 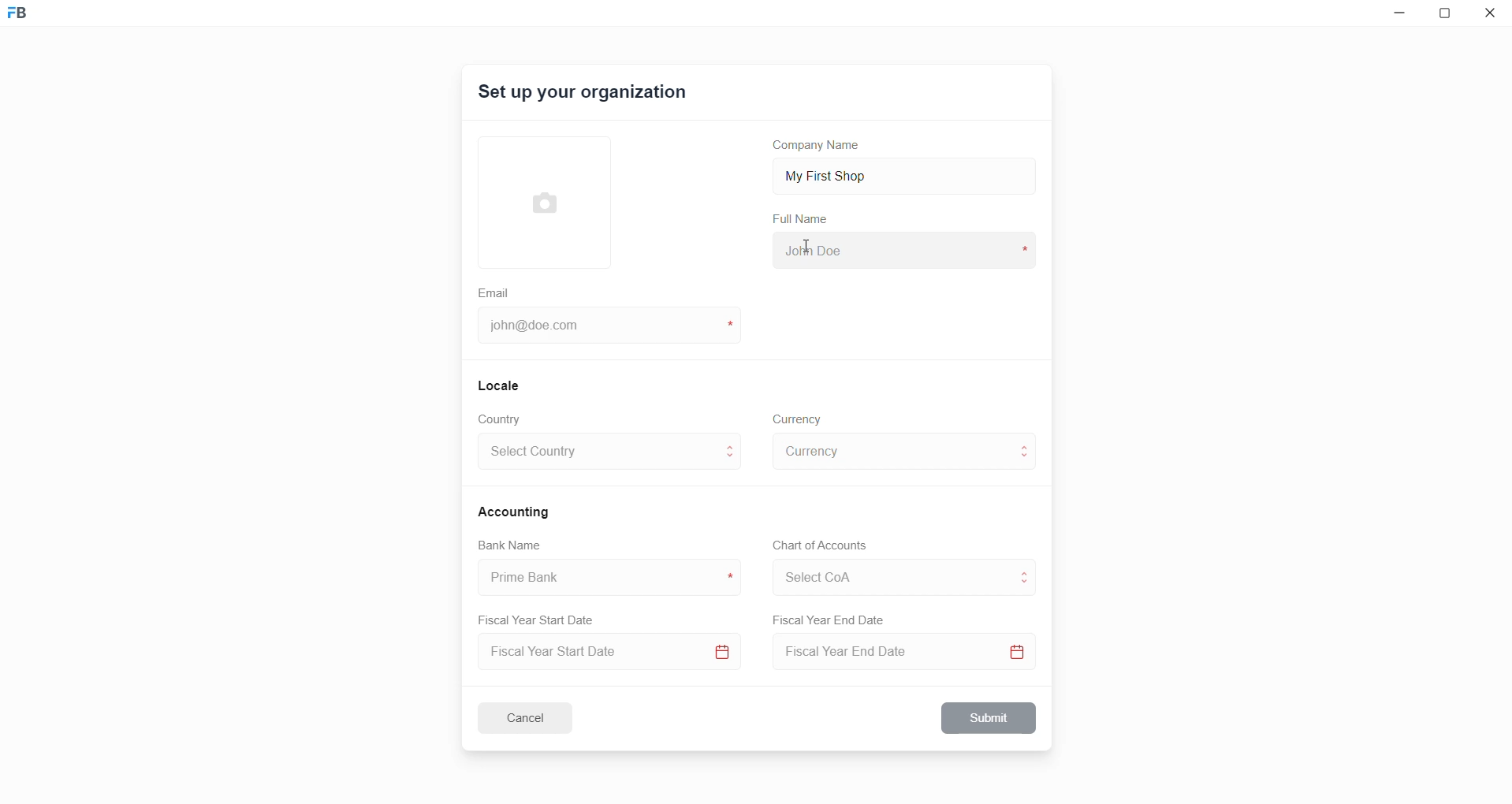 I want to click on select CoA, so click(x=886, y=575).